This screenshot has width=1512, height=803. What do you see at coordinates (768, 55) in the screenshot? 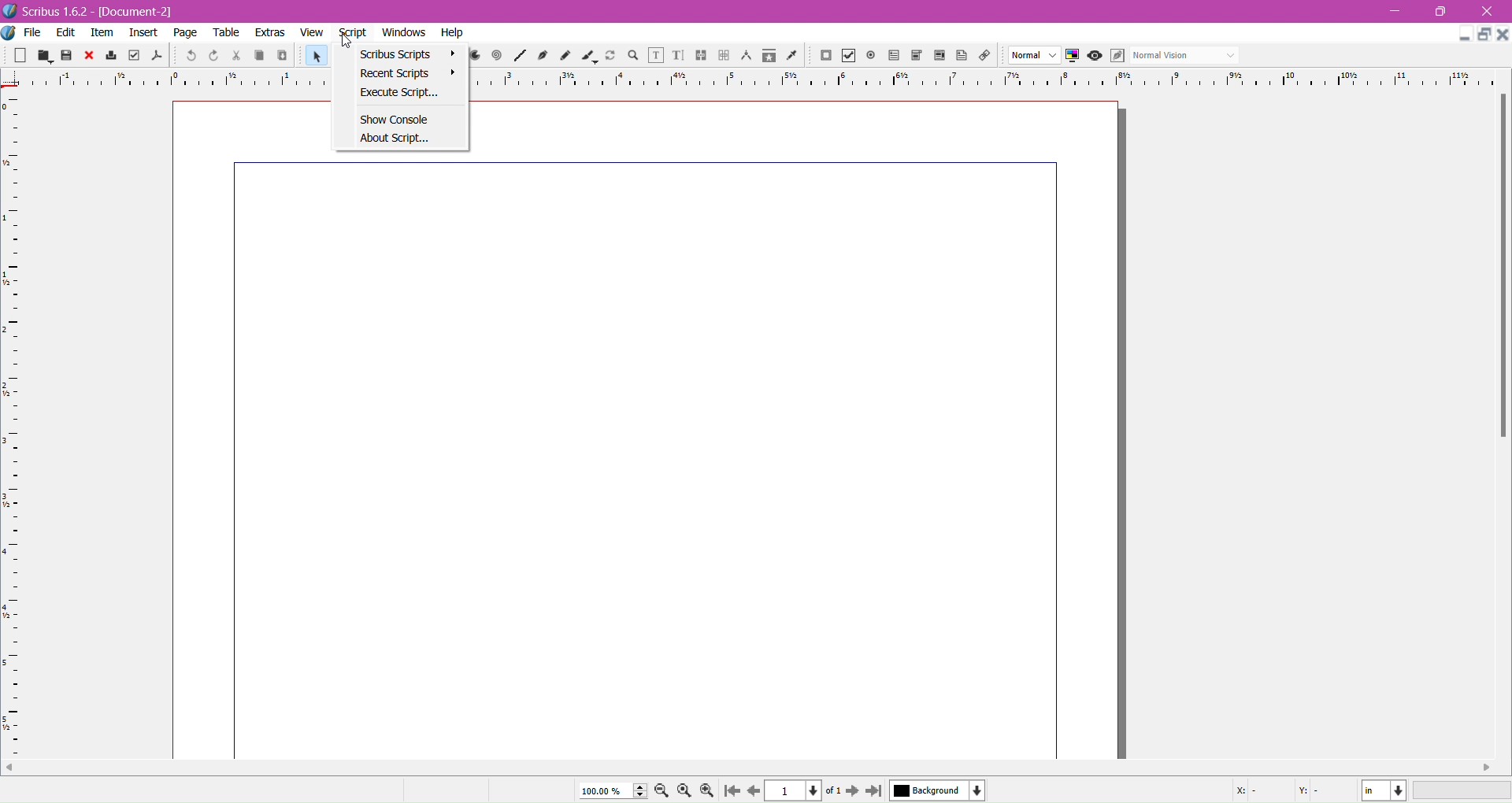
I see `Copy Item Properties` at bounding box center [768, 55].